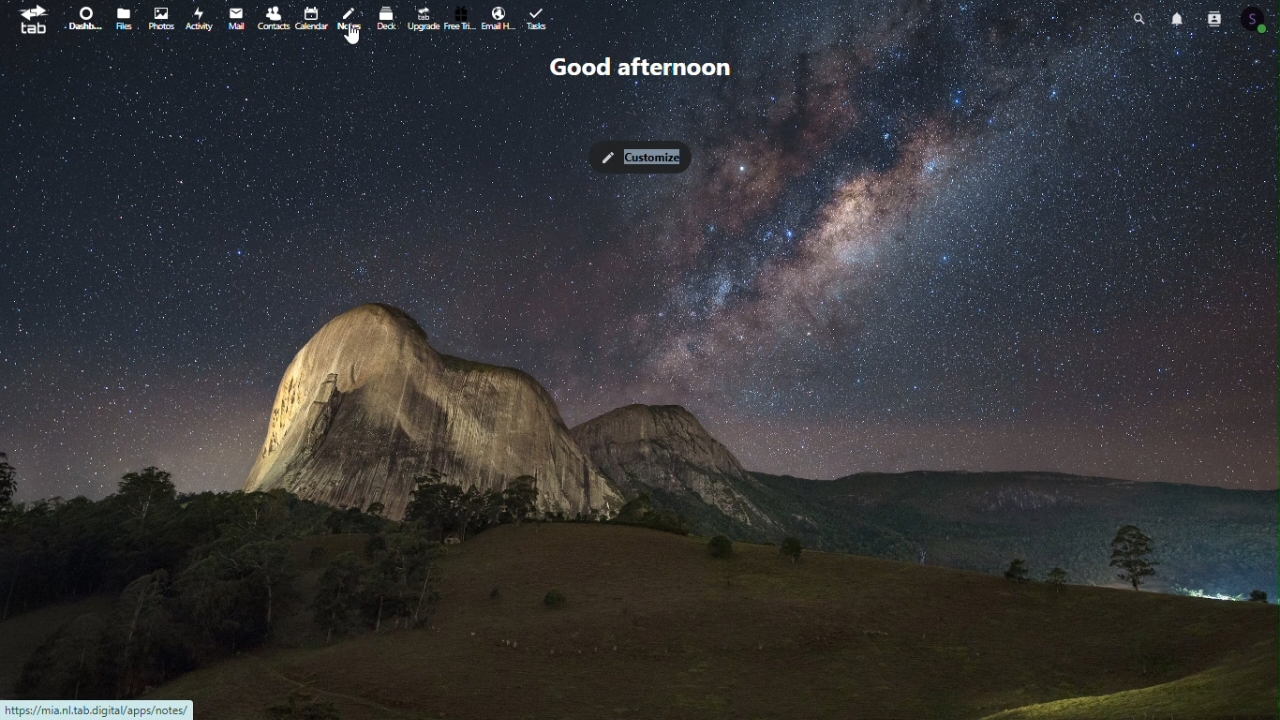 The image size is (1280, 720). Describe the element at coordinates (202, 18) in the screenshot. I see `Activity` at that location.